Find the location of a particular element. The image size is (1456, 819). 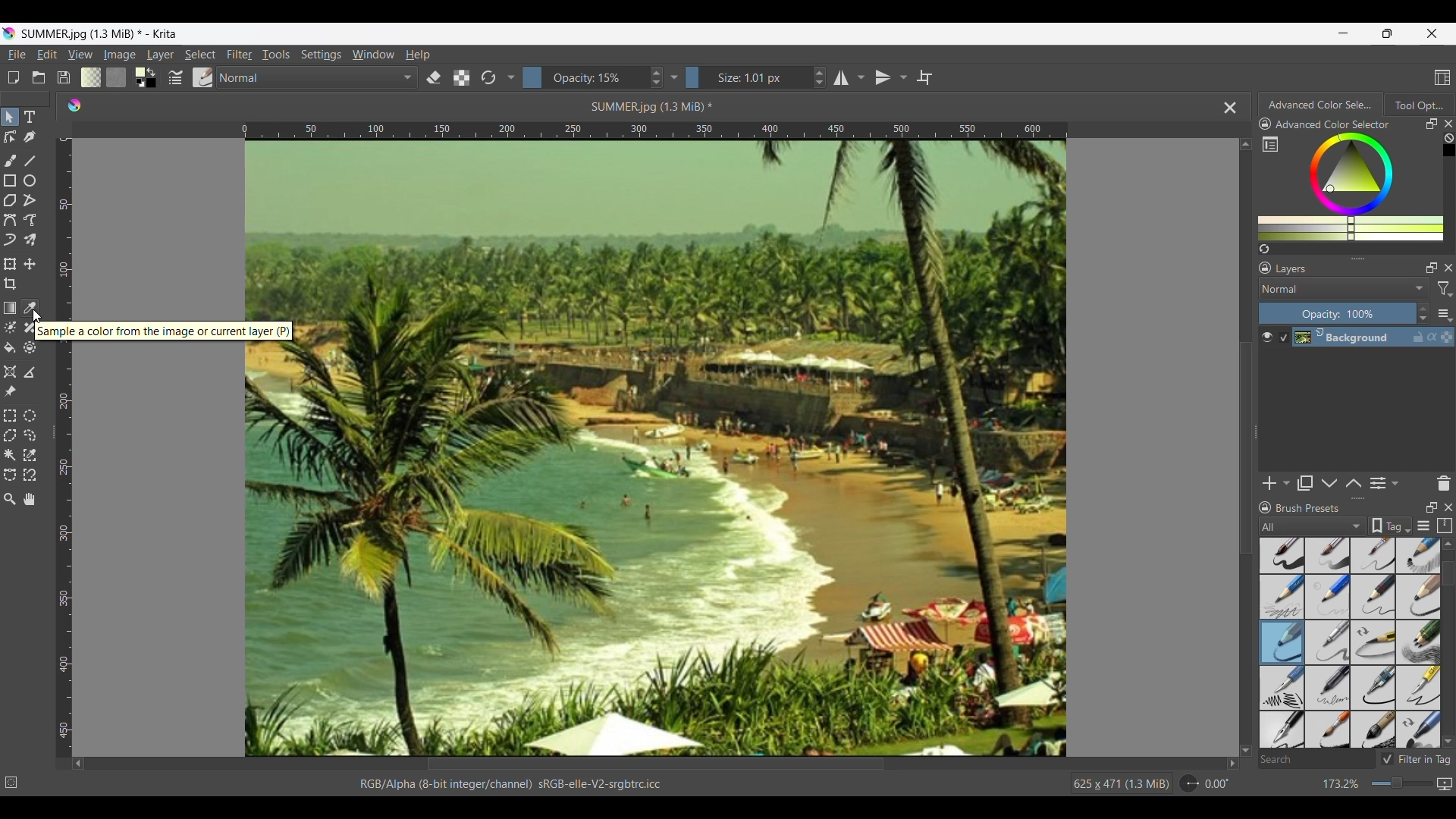

Tag options is located at coordinates (1313, 526).